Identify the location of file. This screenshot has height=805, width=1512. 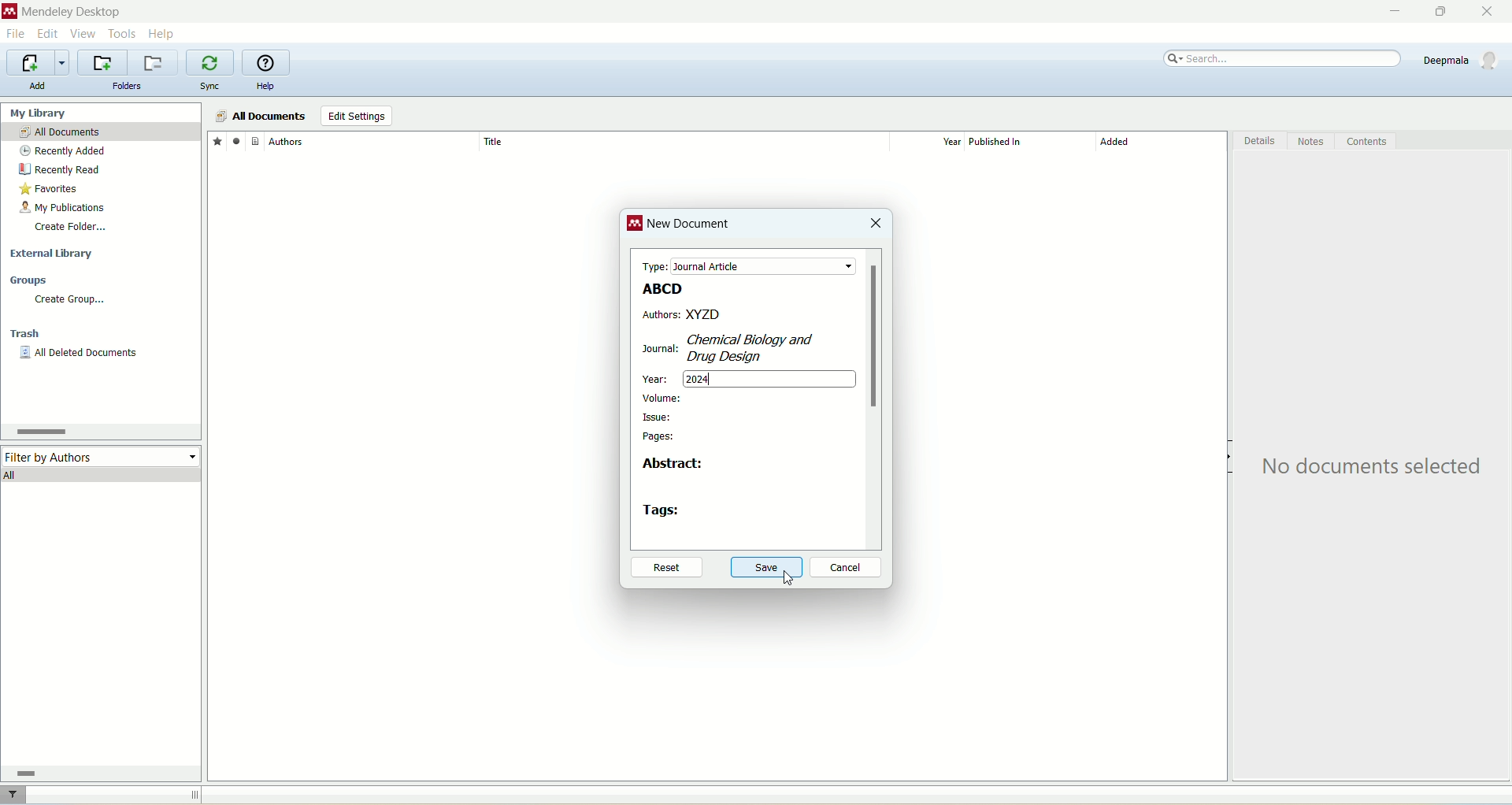
(15, 35).